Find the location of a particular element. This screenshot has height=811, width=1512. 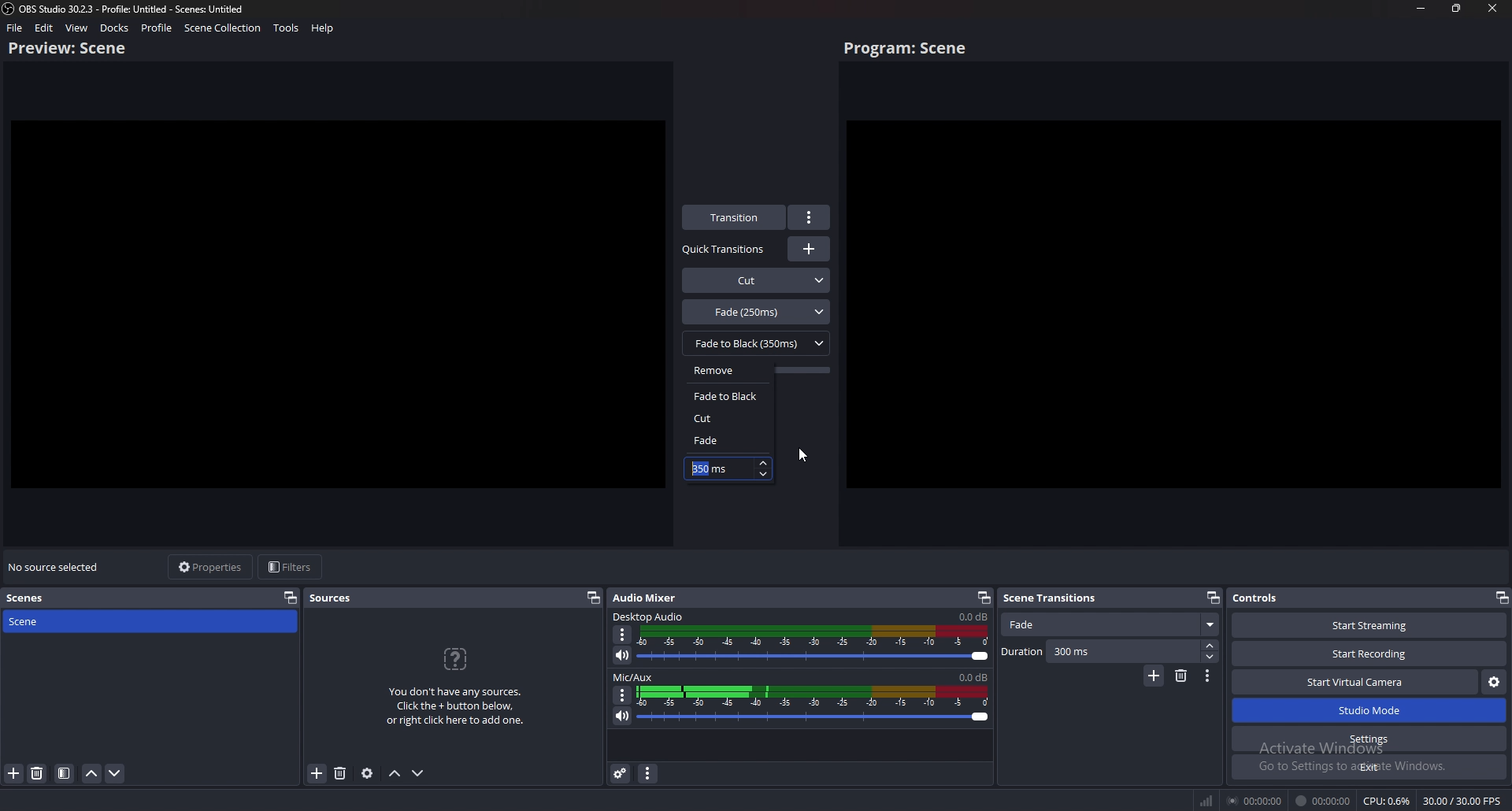

sources is located at coordinates (332, 598).